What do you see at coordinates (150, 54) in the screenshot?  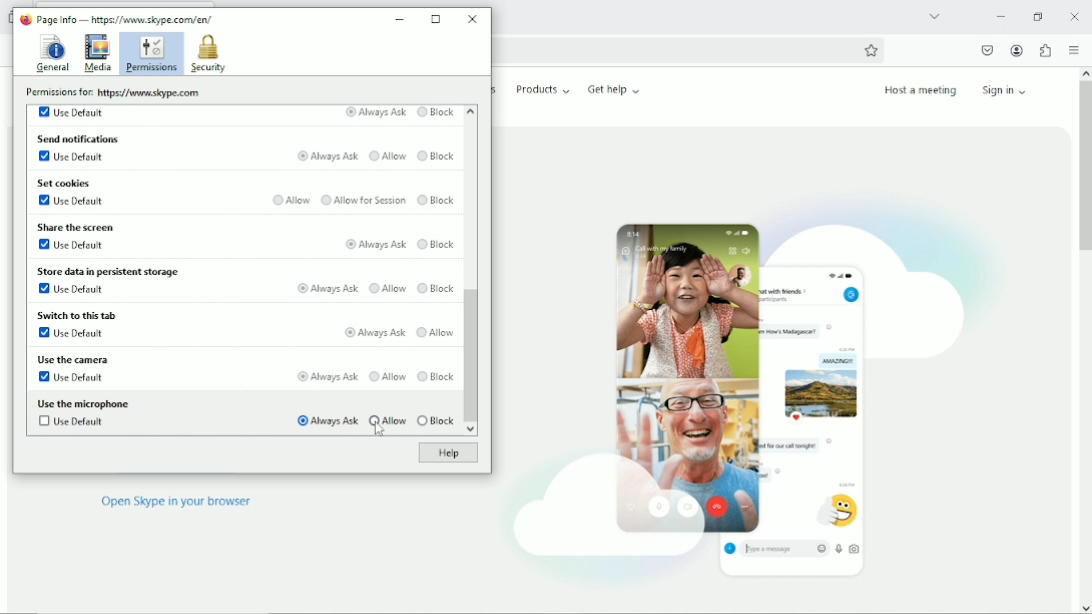 I see `Permissions` at bounding box center [150, 54].